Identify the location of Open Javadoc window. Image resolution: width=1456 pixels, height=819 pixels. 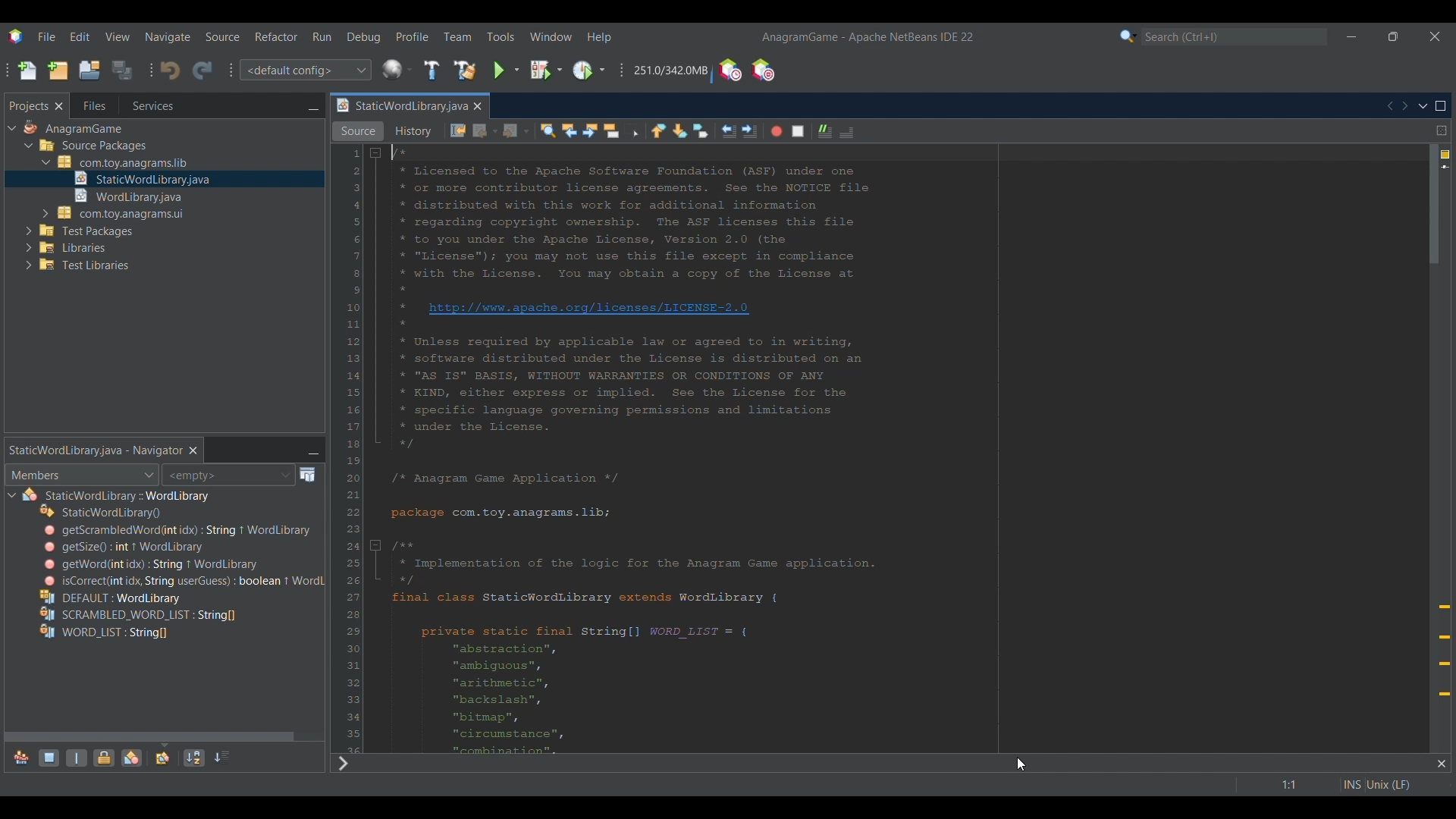
(308, 475).